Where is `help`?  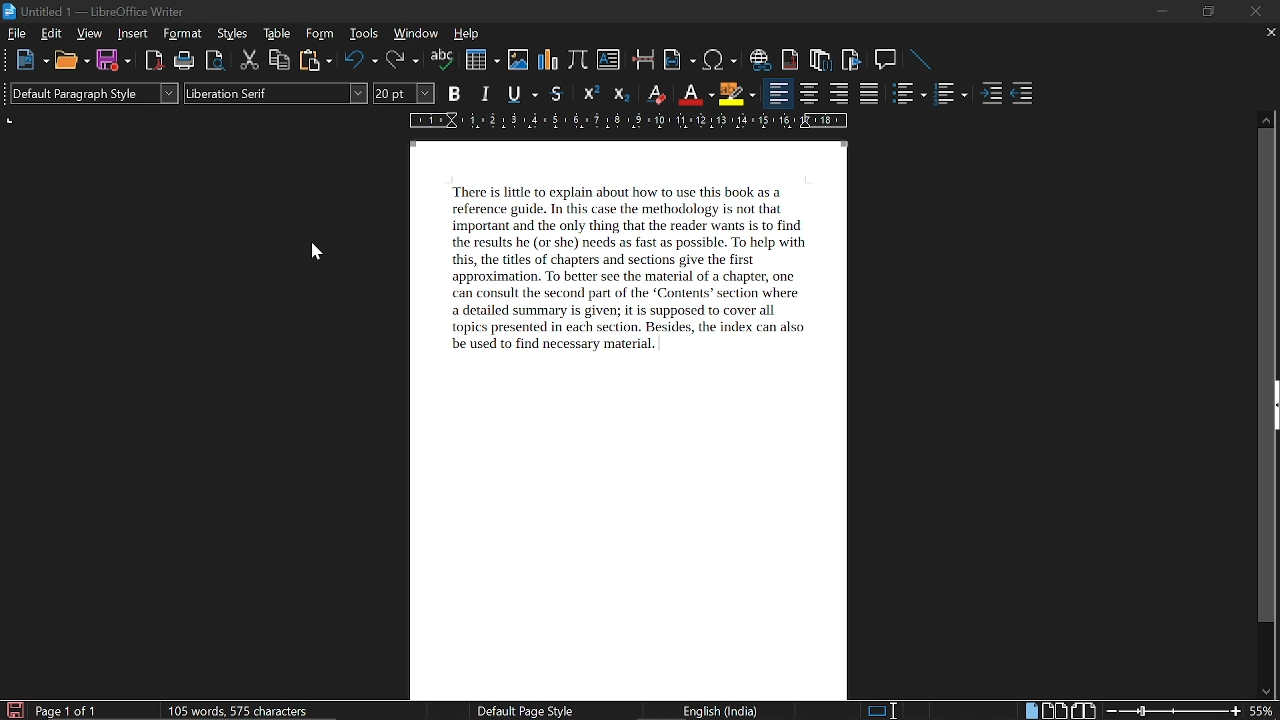
help is located at coordinates (470, 34).